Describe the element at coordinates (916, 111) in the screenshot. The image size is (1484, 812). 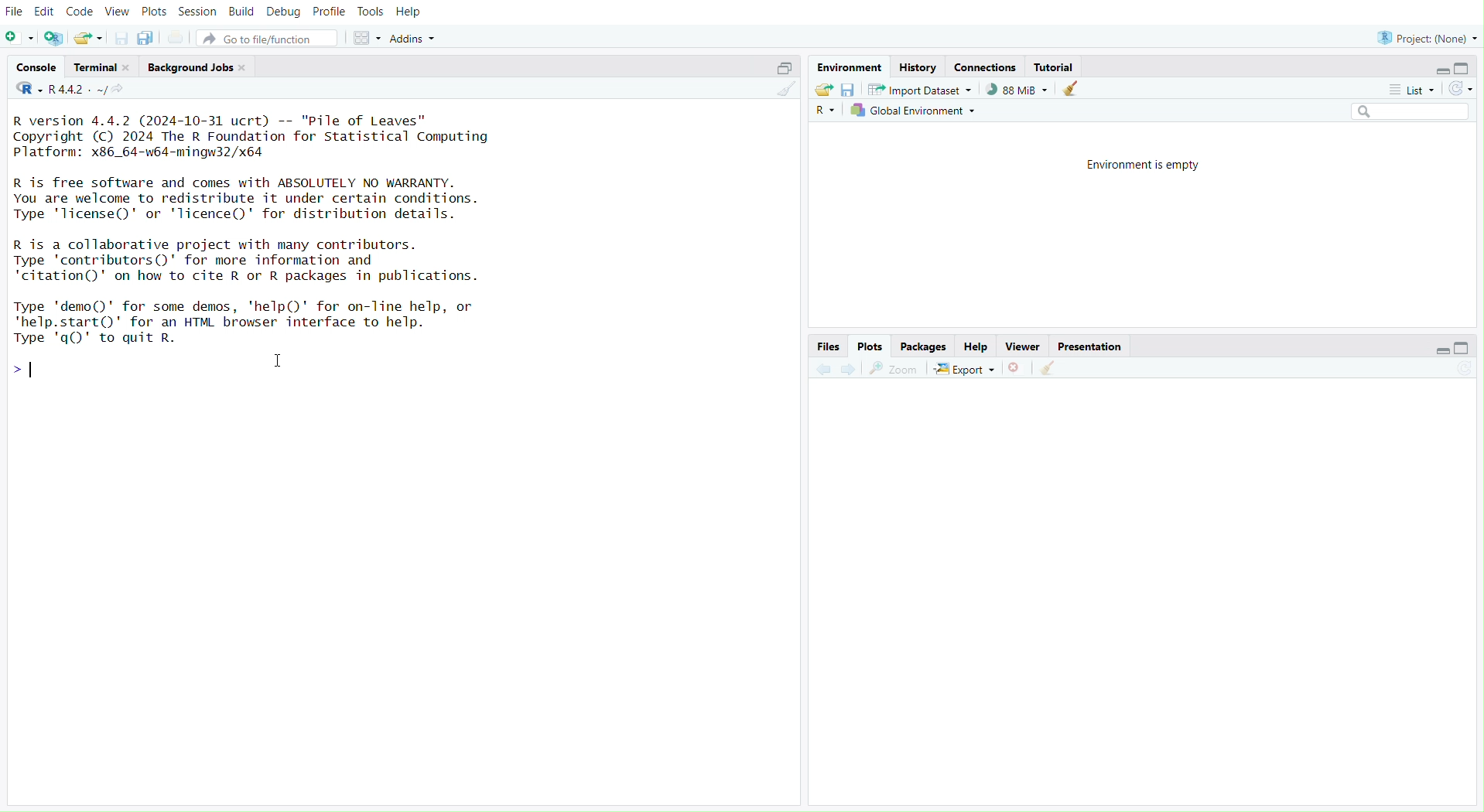
I see `Global Environment` at that location.